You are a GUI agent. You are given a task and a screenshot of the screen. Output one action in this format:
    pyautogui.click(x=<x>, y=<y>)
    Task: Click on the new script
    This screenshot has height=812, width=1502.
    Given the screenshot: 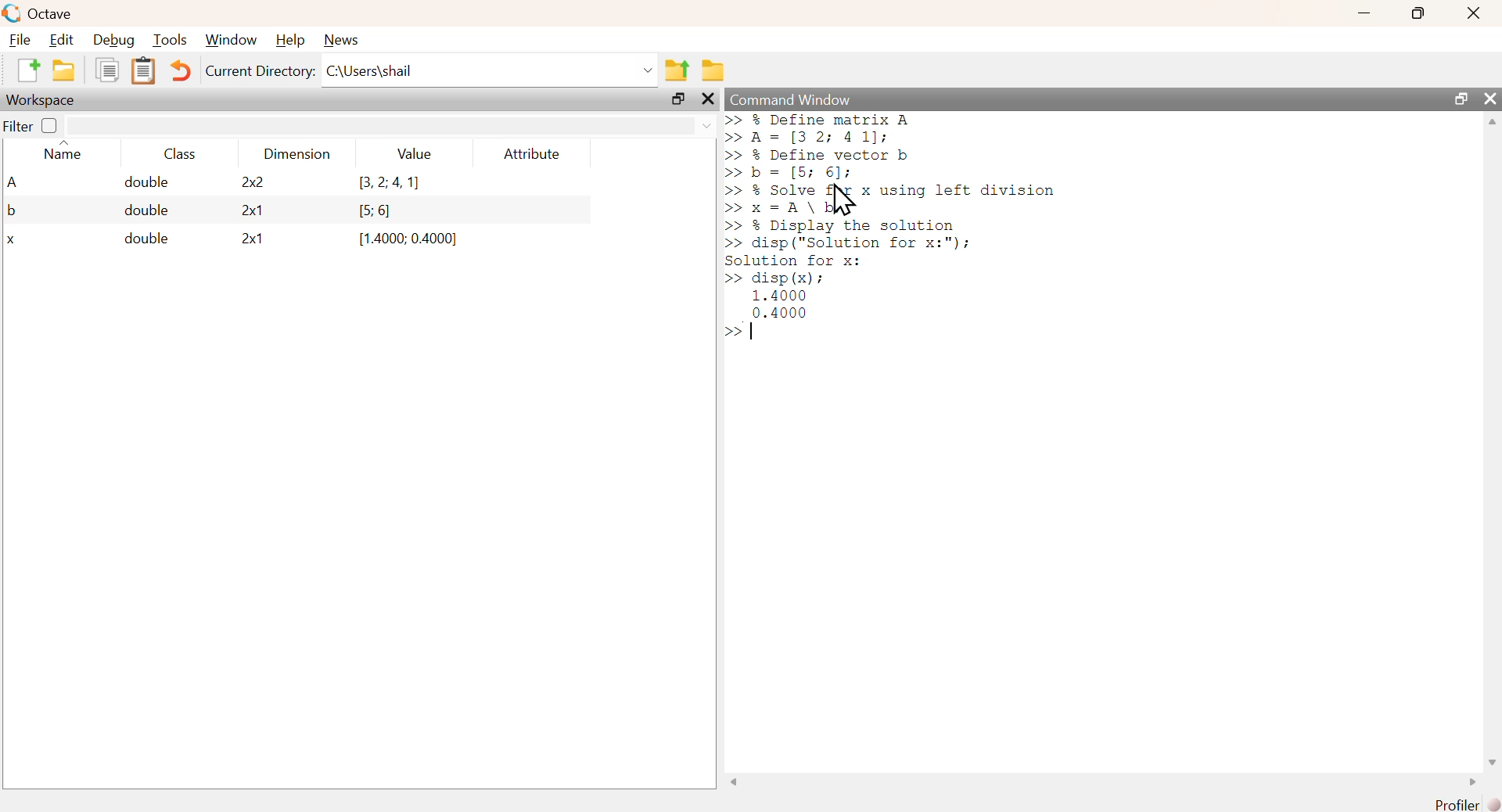 What is the action you would take?
    pyautogui.click(x=30, y=72)
    